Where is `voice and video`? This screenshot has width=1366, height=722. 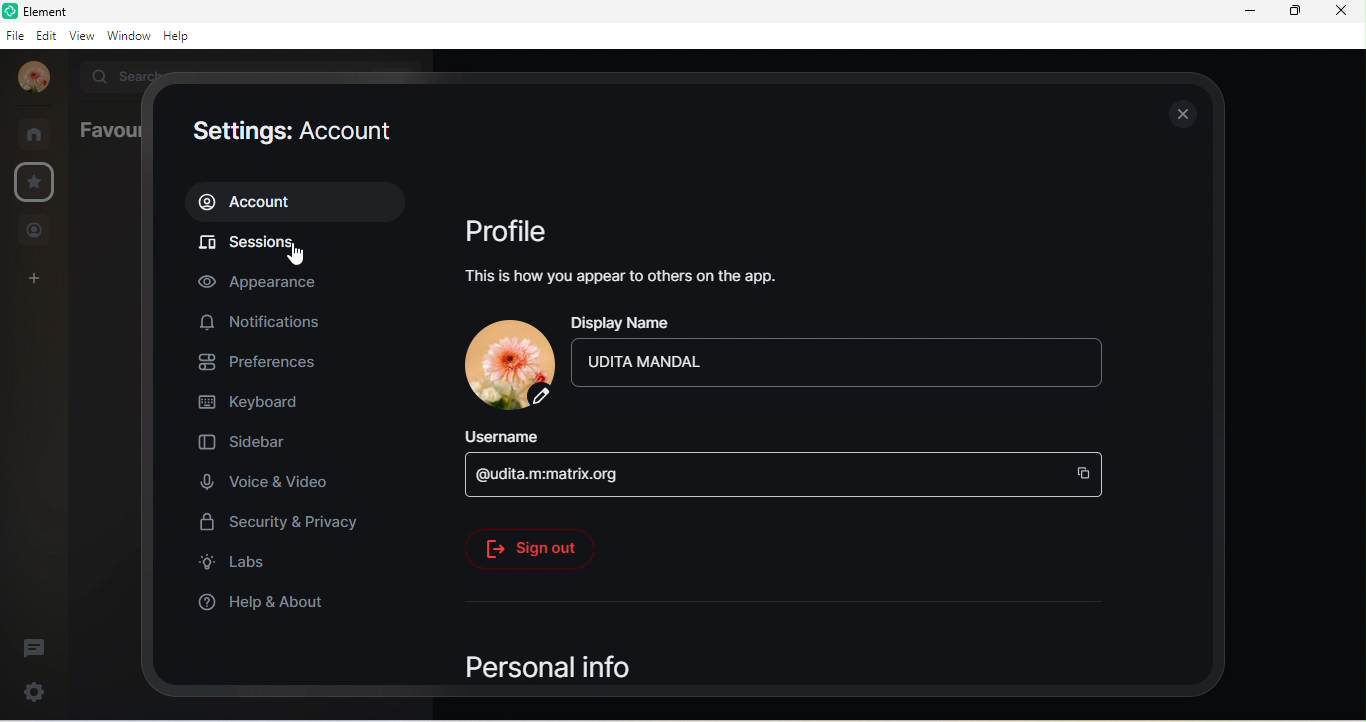 voice and video is located at coordinates (265, 481).